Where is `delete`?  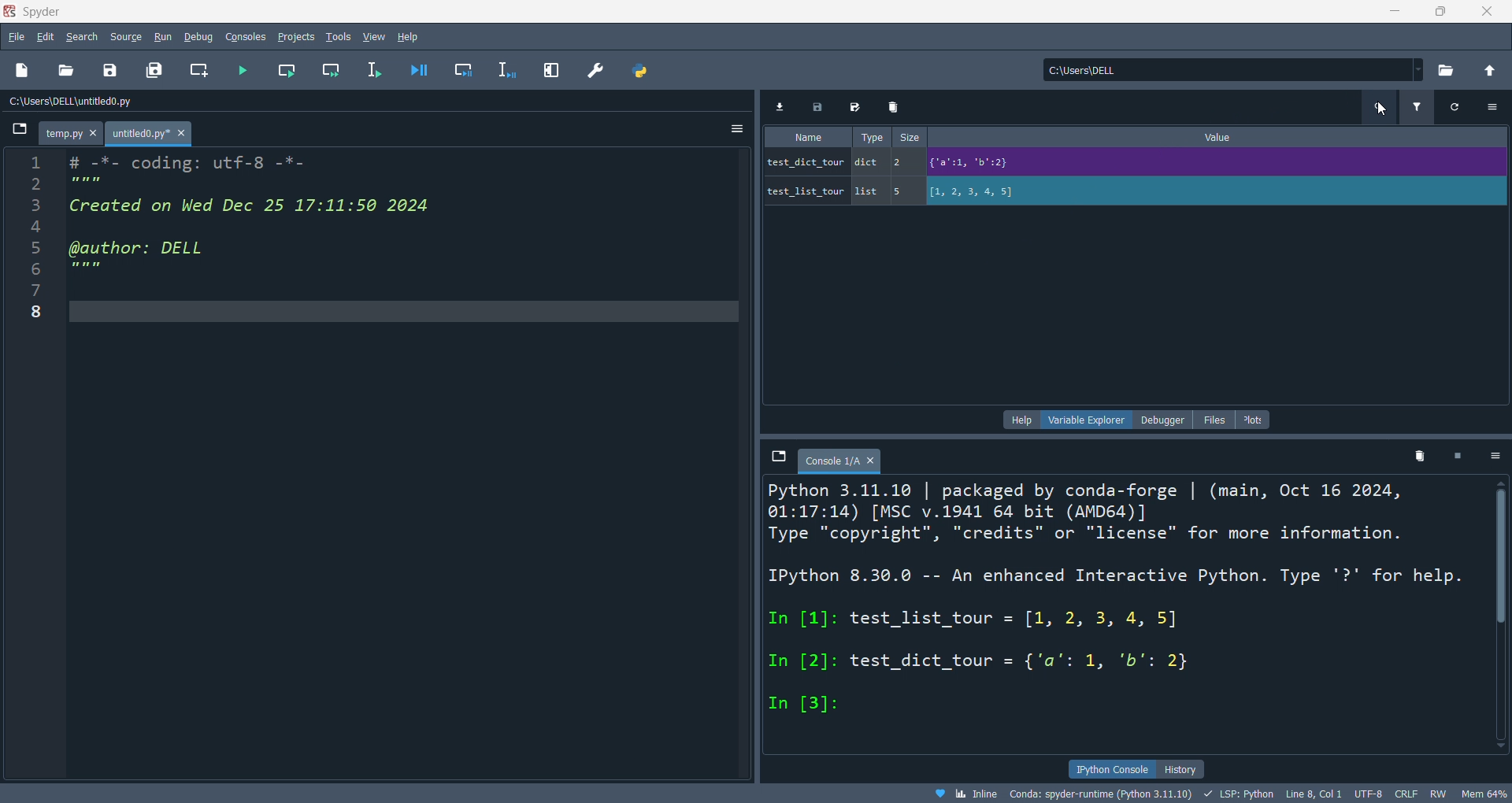
delete is located at coordinates (890, 105).